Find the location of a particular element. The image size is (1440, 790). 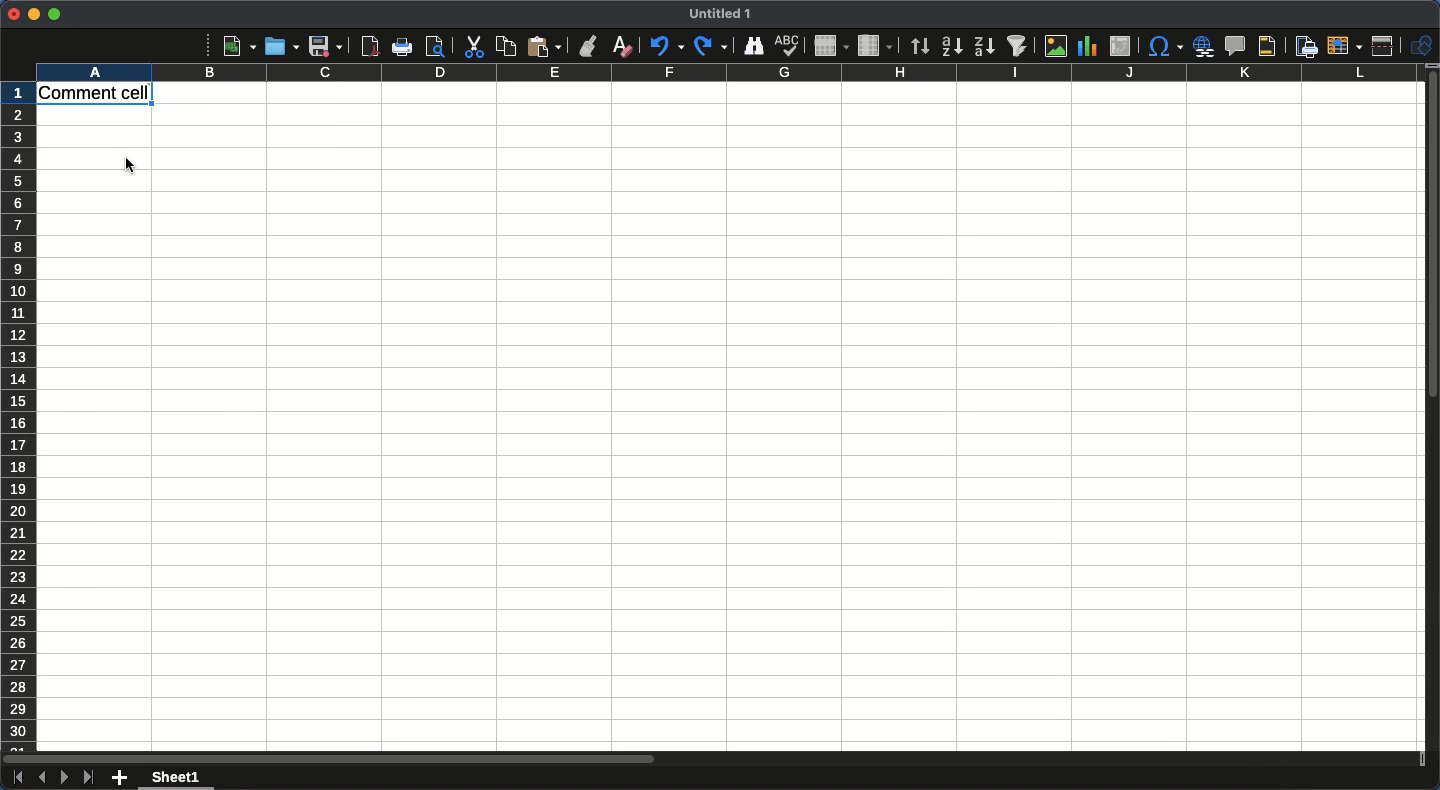

Comment added is located at coordinates (153, 88).